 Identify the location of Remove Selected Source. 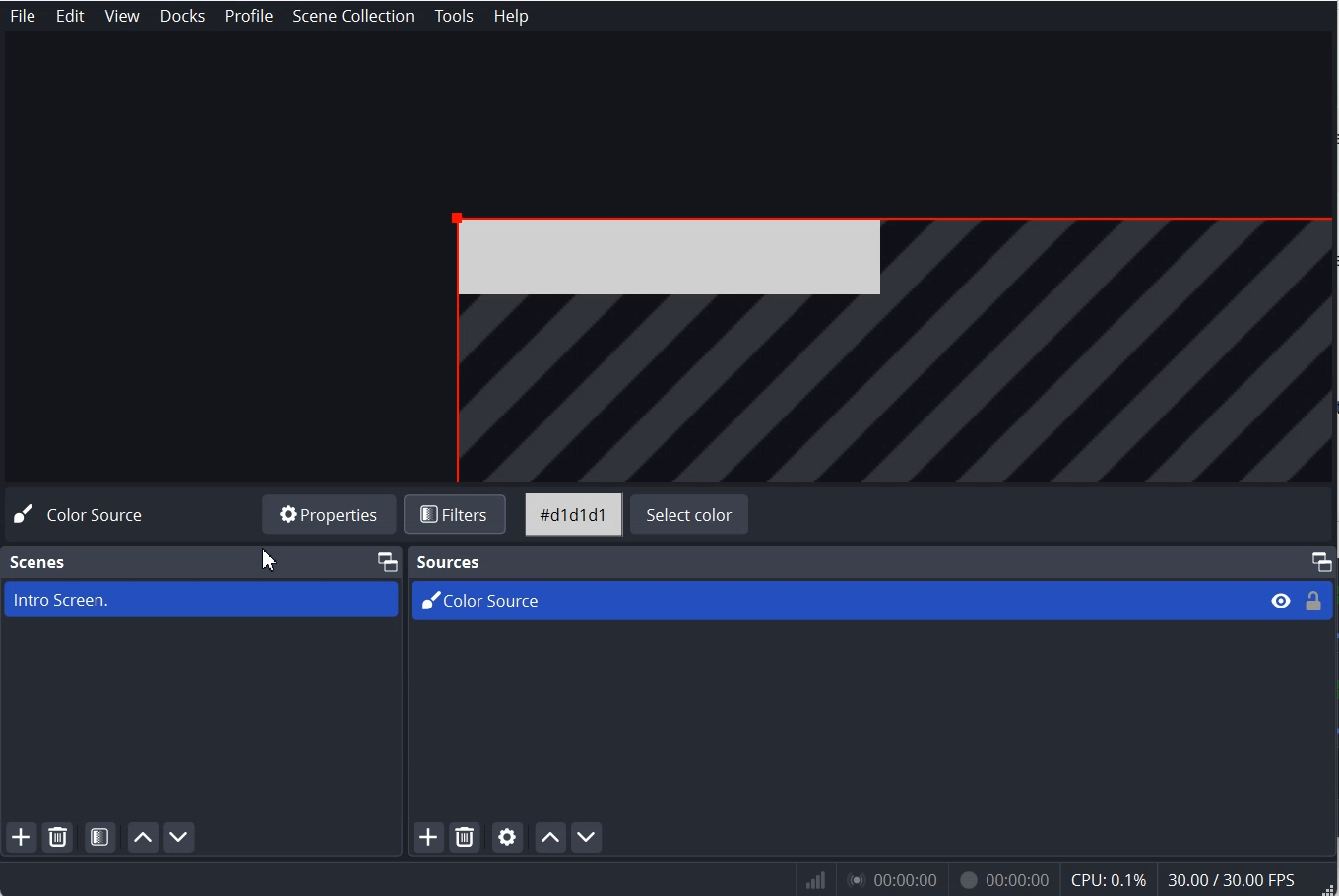
(465, 838).